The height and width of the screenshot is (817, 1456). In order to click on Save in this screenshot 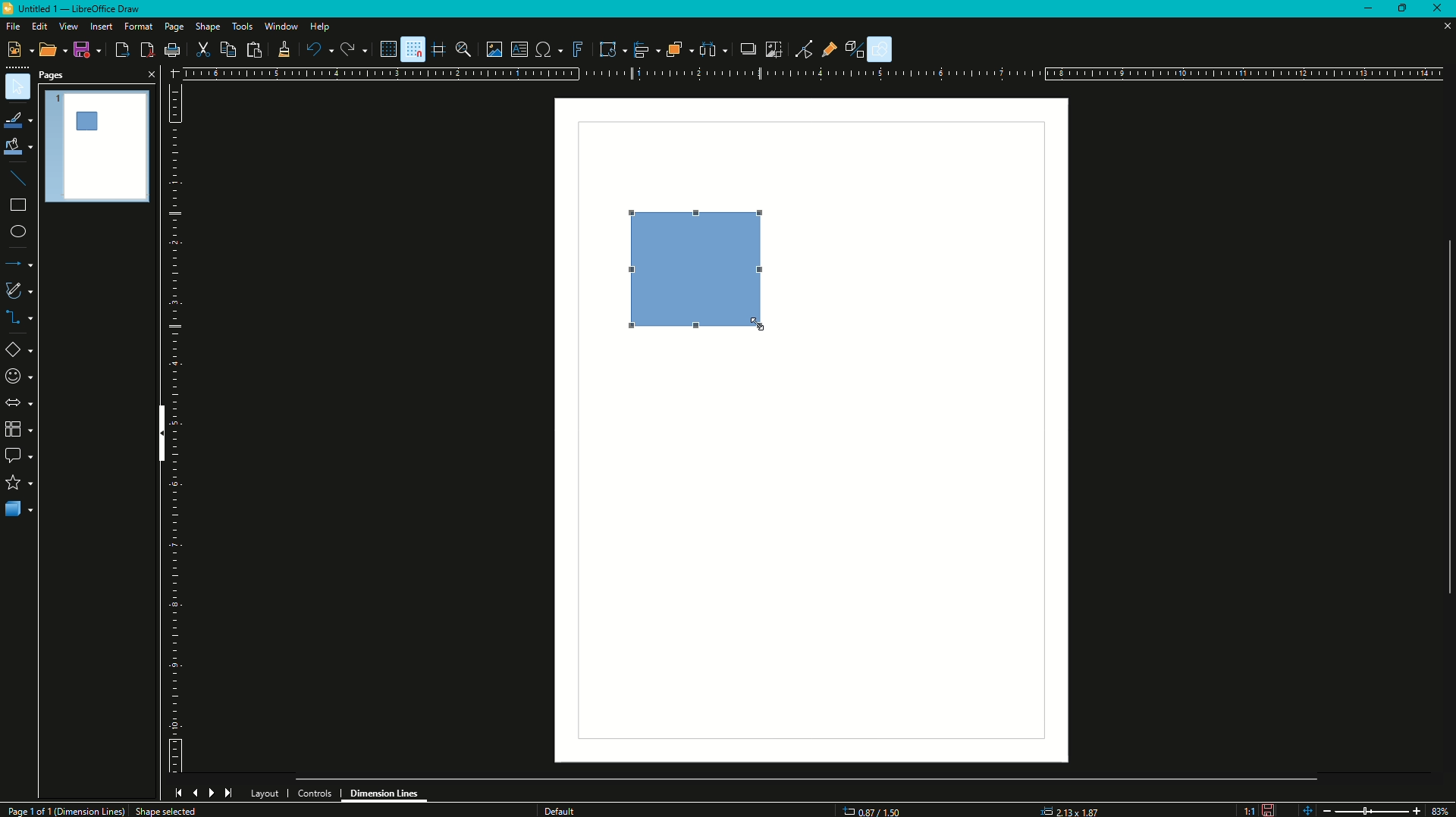, I will do `click(85, 51)`.